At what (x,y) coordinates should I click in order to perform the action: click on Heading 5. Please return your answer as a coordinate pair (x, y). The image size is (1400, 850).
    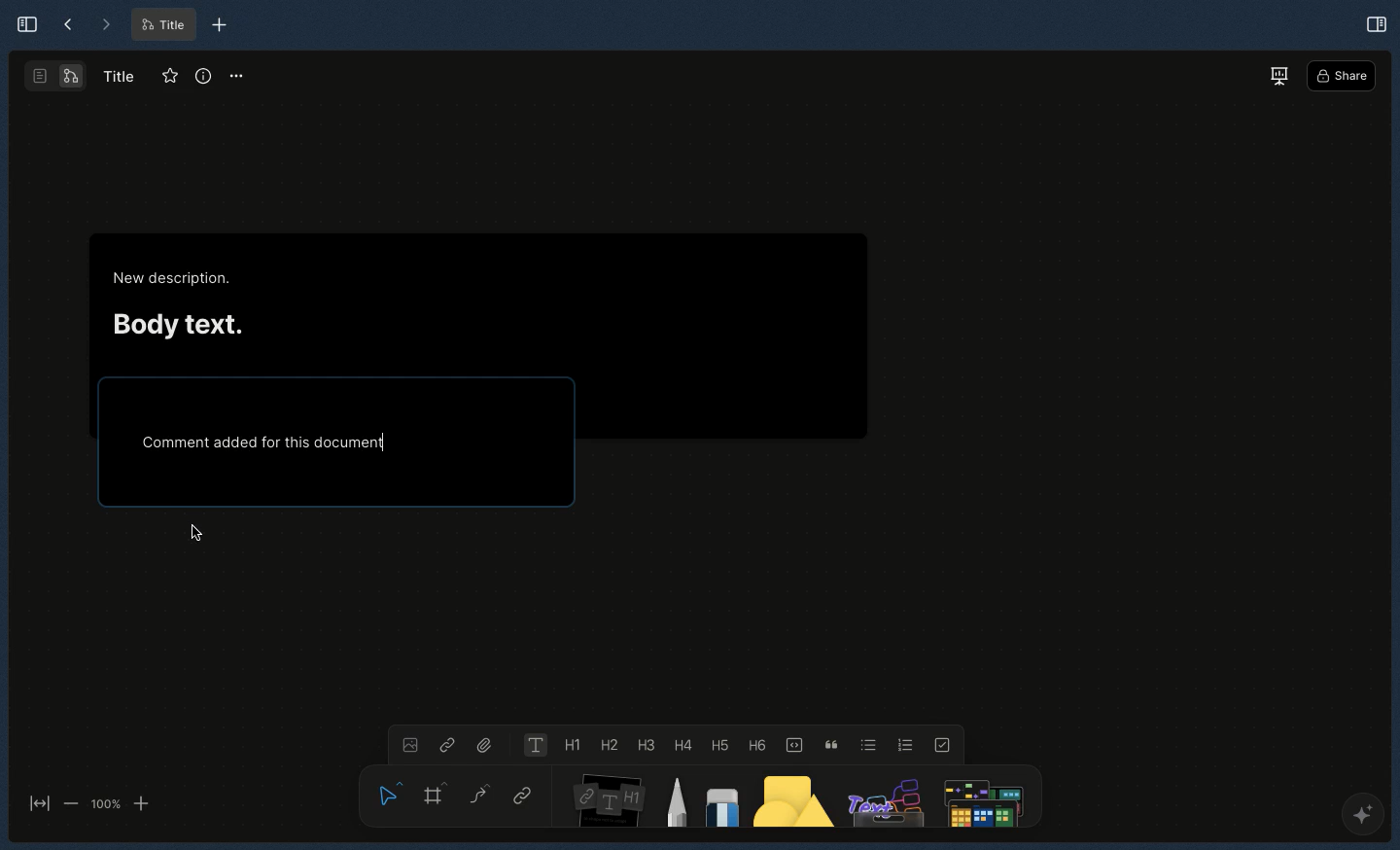
    Looking at the image, I should click on (717, 744).